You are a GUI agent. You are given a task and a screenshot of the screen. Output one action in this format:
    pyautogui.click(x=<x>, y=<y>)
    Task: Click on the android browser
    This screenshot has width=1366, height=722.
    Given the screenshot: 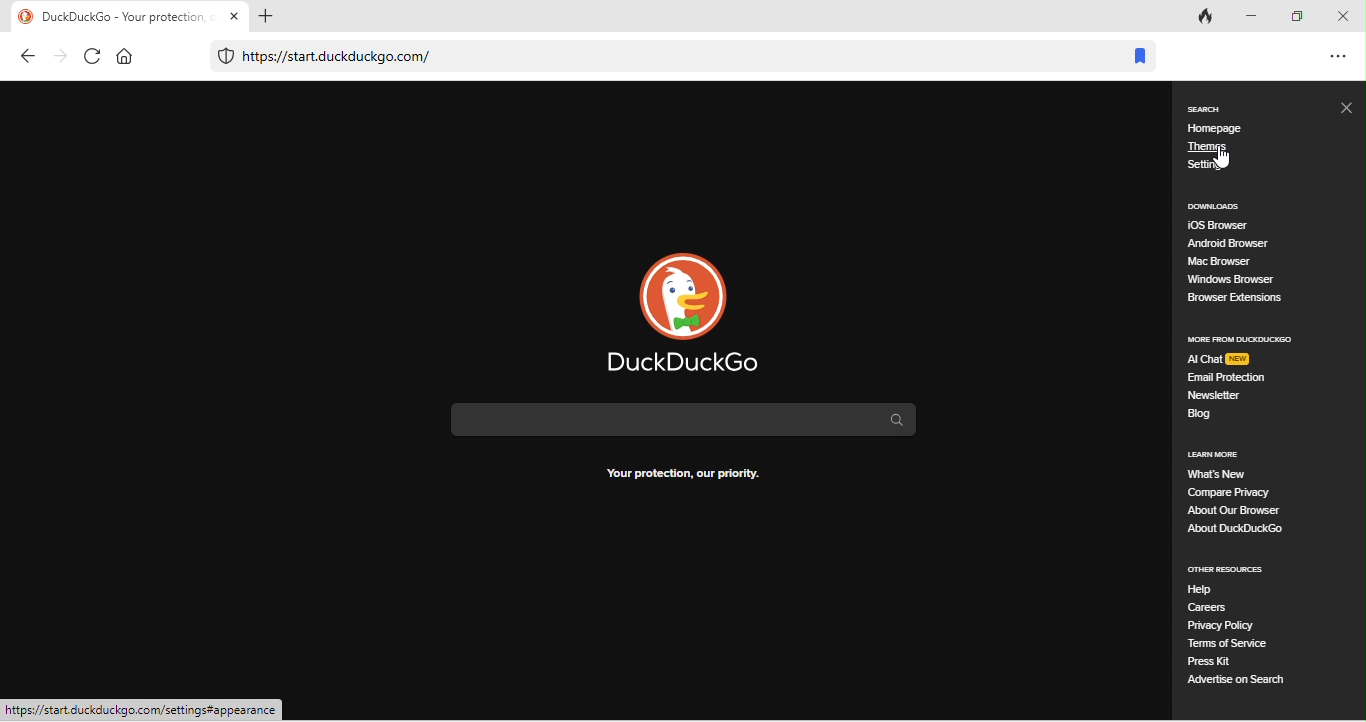 What is the action you would take?
    pyautogui.click(x=1240, y=243)
    